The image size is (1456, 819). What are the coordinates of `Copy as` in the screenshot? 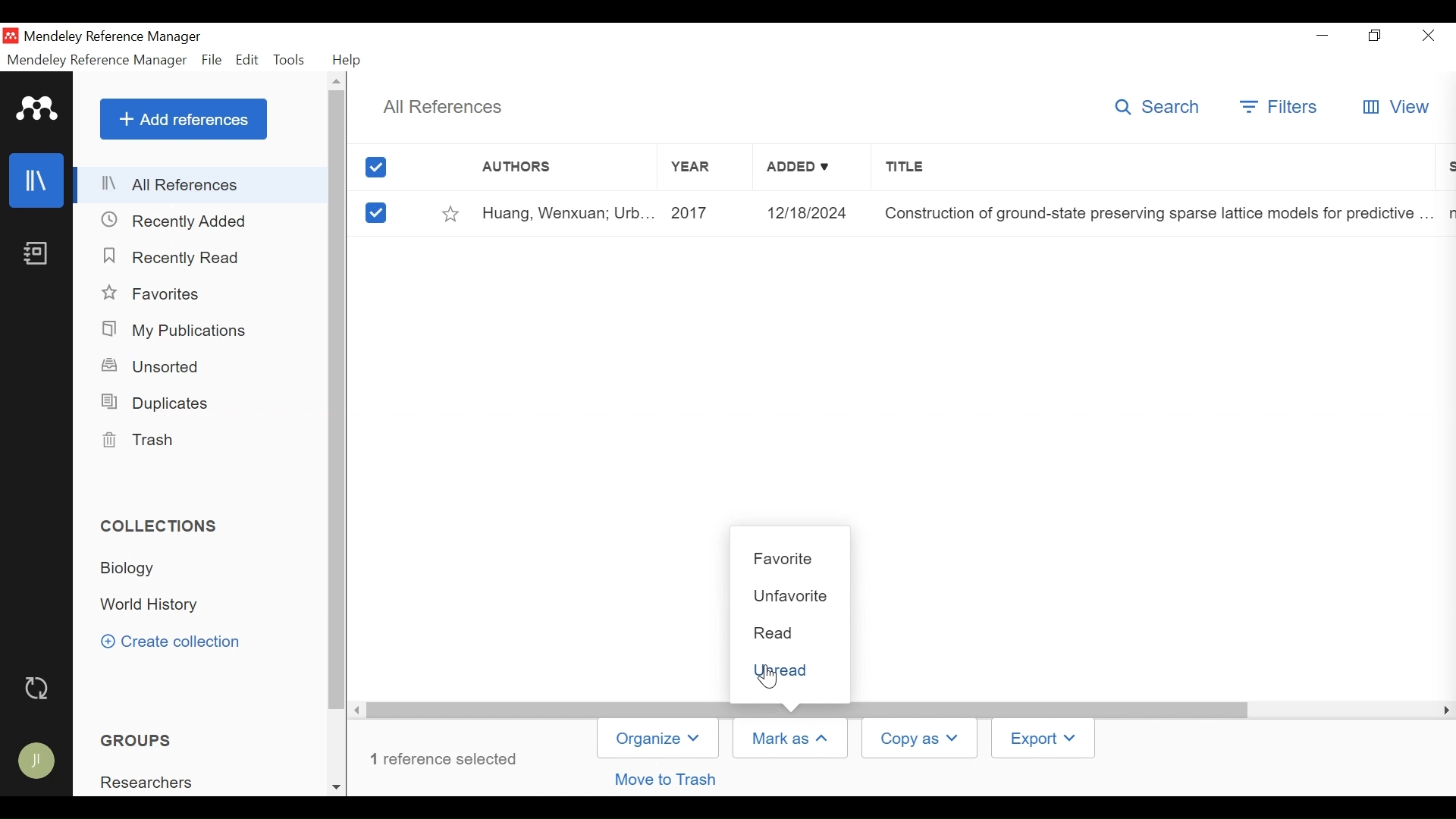 It's located at (918, 738).